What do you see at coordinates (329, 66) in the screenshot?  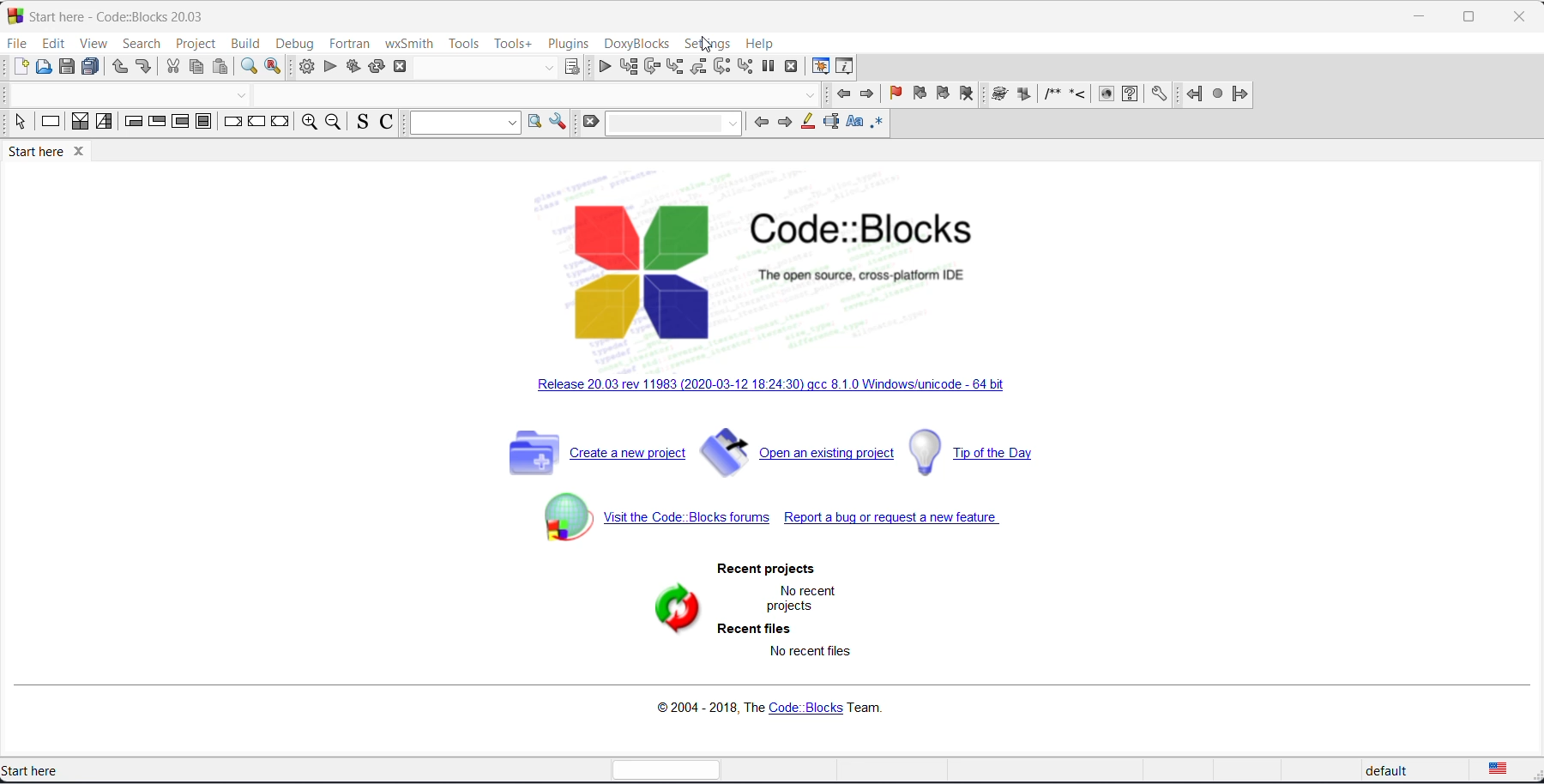 I see `run` at bounding box center [329, 66].